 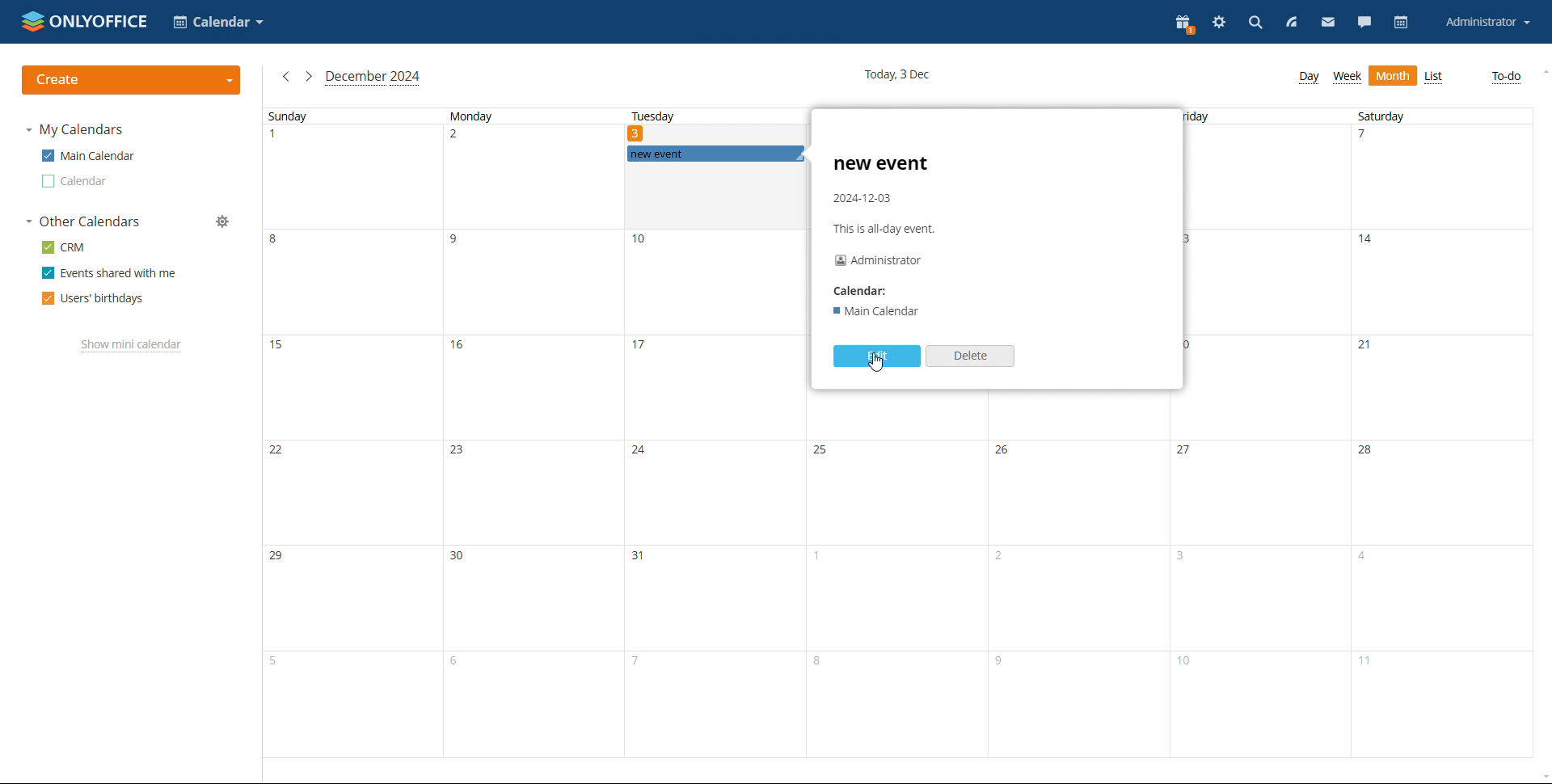 I want to click on tuesday, so click(x=652, y=117).